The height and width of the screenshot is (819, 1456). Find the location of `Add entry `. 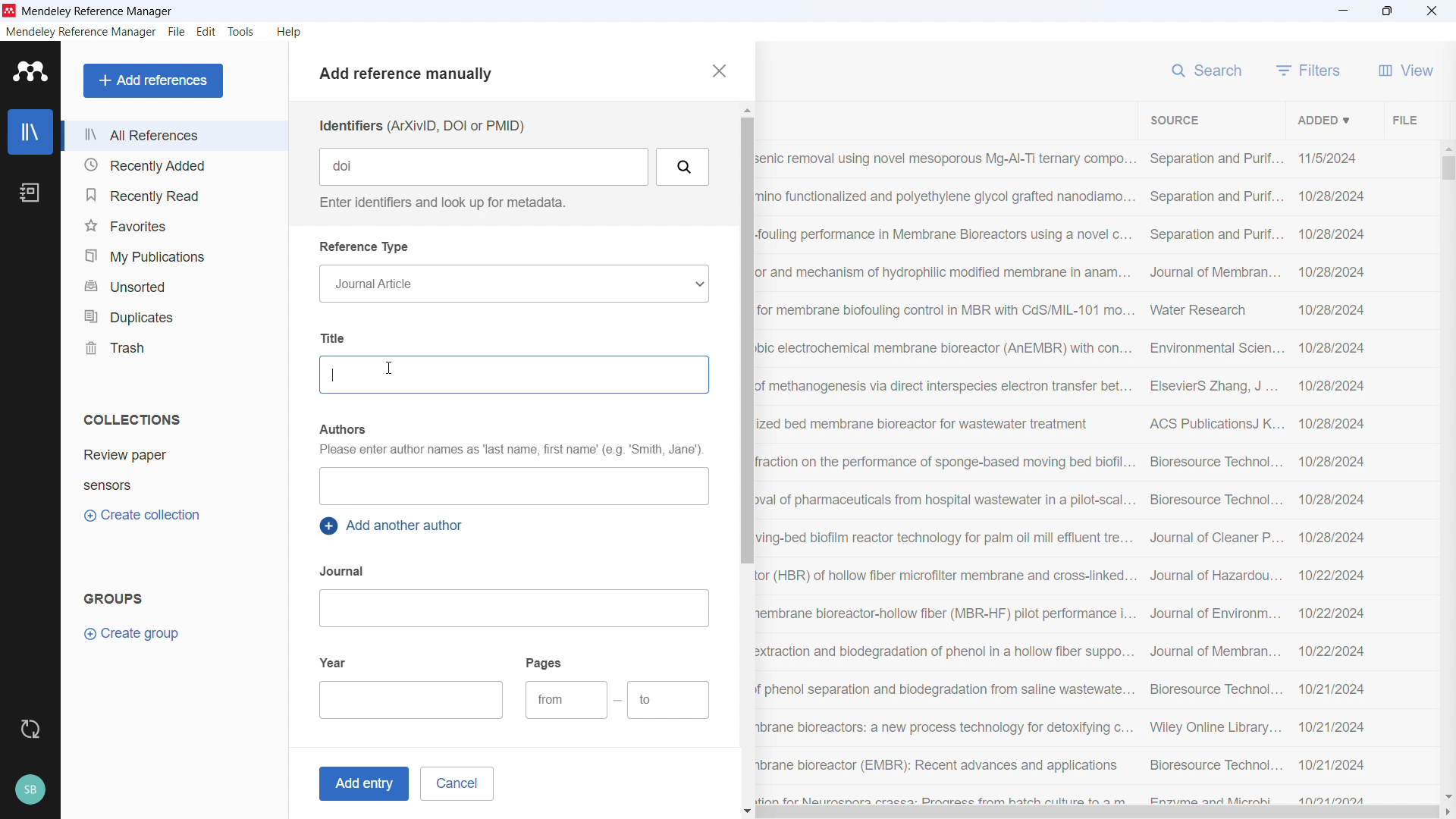

Add entry  is located at coordinates (361, 784).